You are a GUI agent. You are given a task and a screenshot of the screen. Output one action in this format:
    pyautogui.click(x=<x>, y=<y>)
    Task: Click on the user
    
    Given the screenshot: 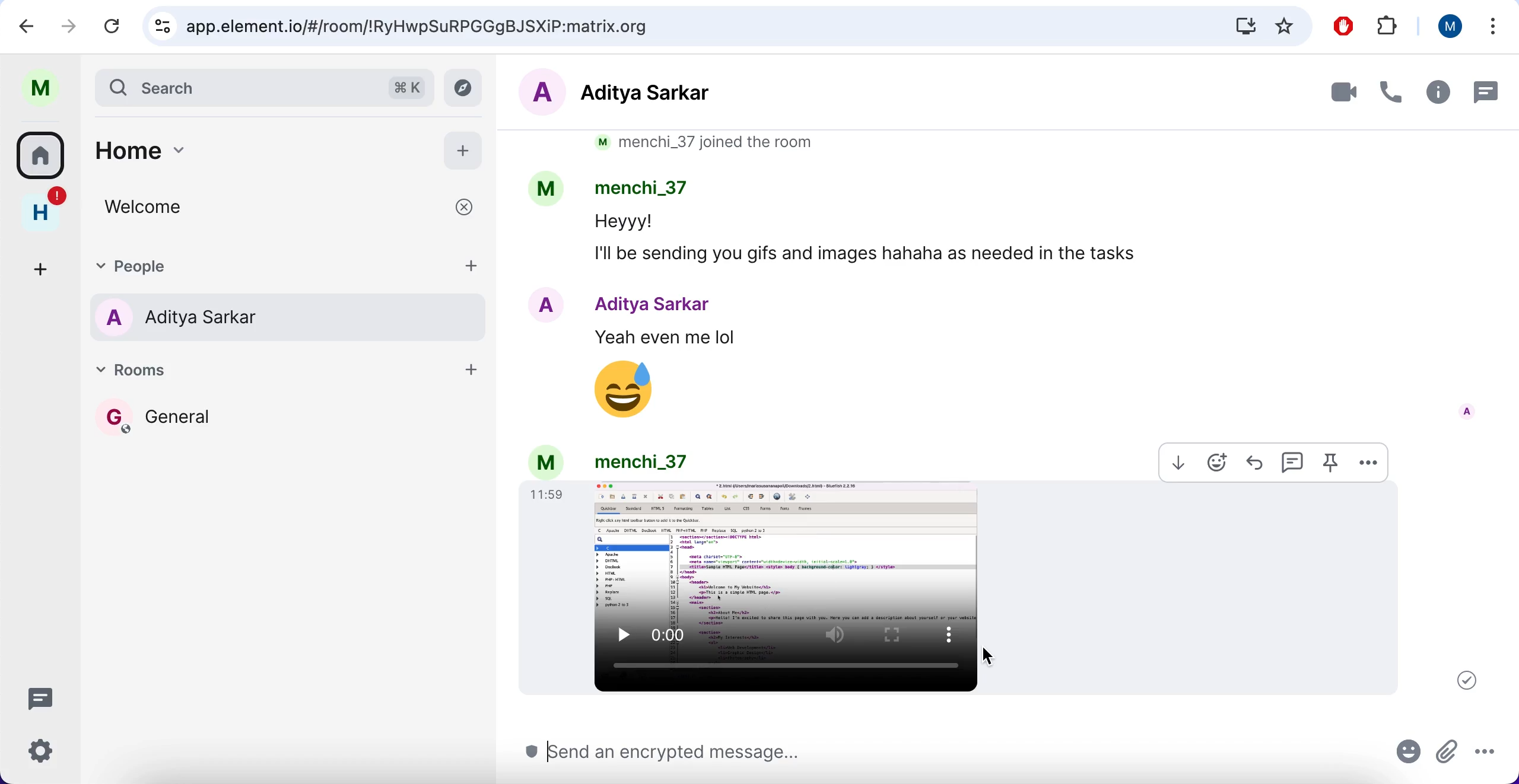 What is the action you would take?
    pyautogui.click(x=608, y=460)
    